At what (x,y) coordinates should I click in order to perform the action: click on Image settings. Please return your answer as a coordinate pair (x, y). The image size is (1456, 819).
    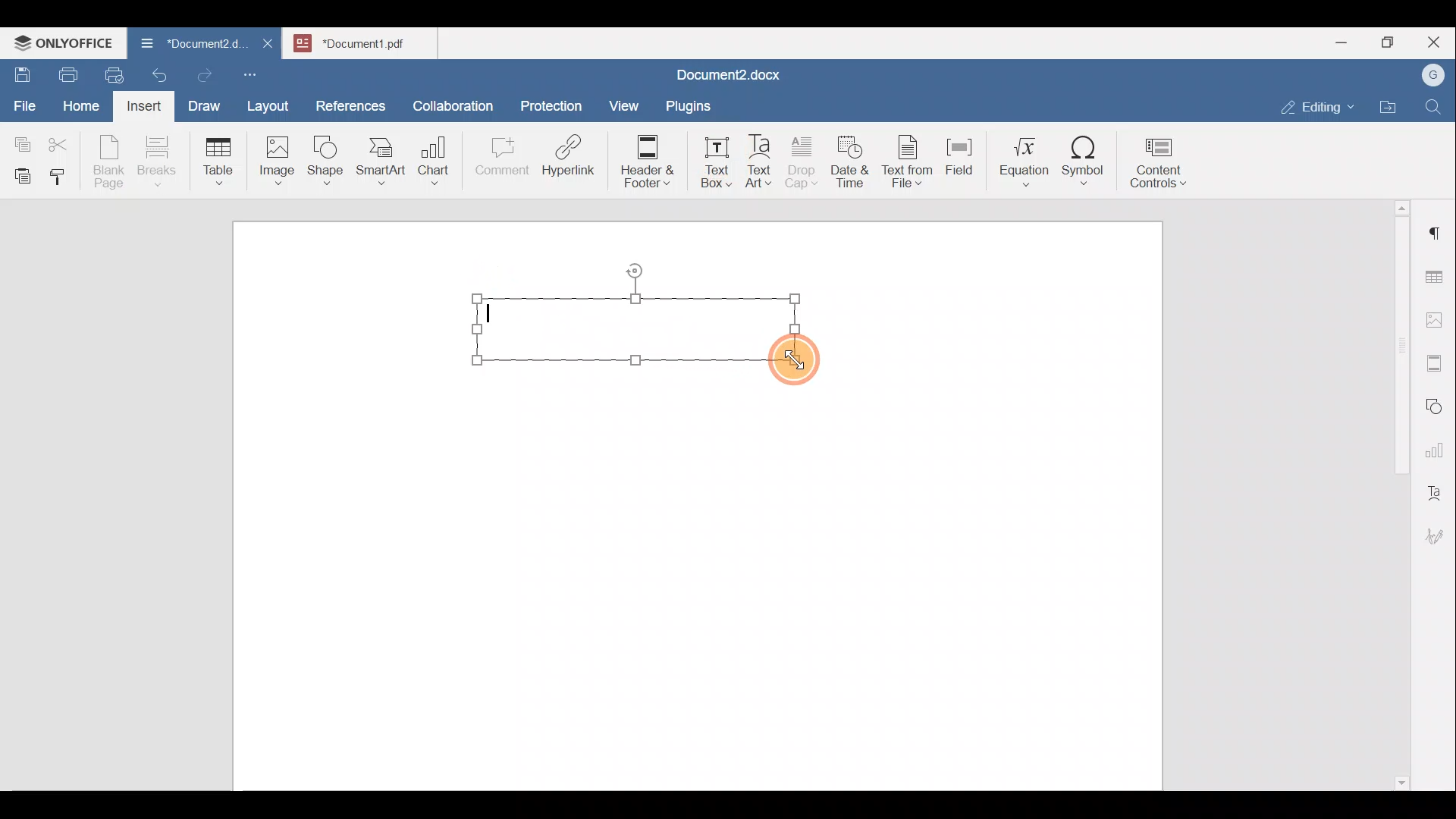
    Looking at the image, I should click on (1437, 318).